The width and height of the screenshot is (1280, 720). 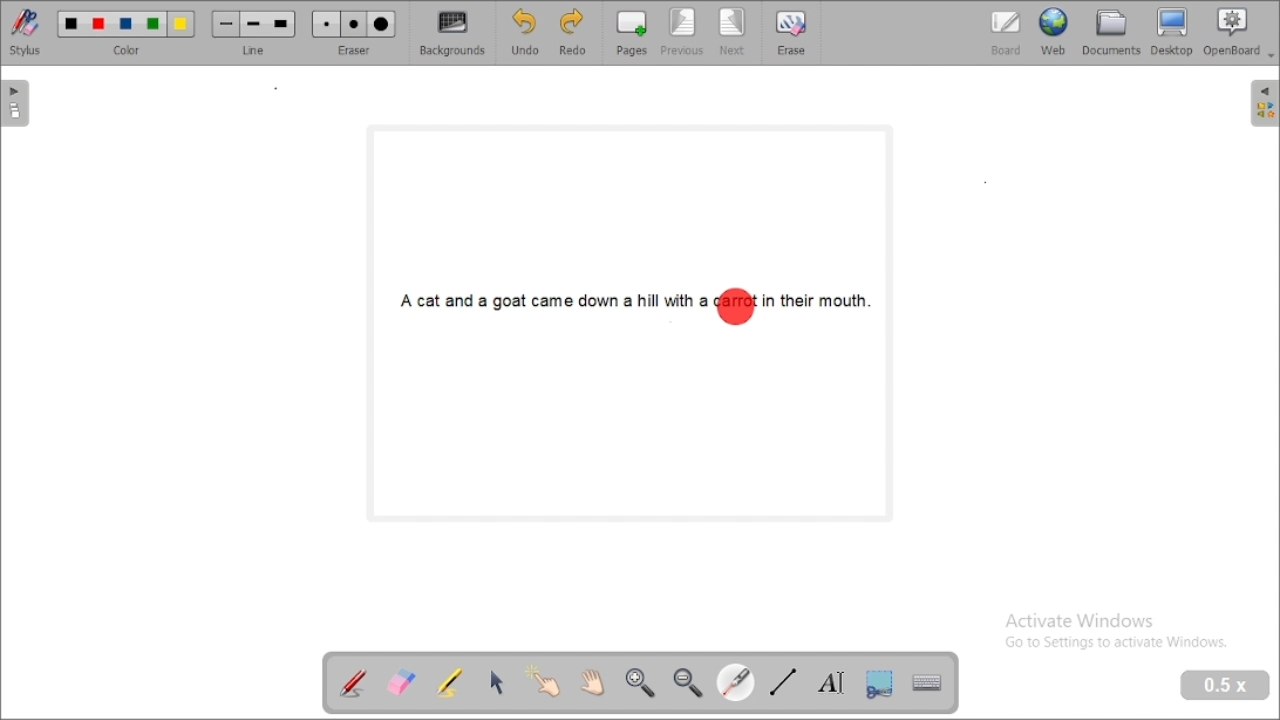 I want to click on annotate document, so click(x=354, y=682).